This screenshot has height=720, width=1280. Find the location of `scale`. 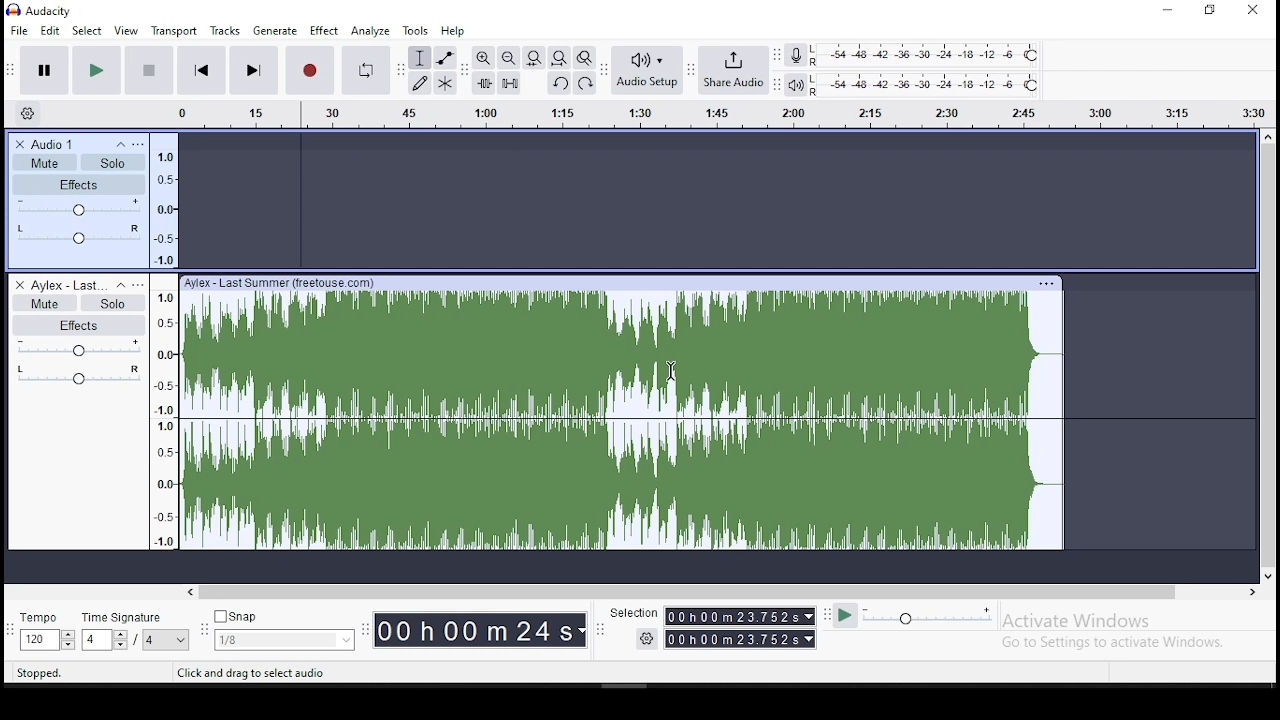

scale is located at coordinates (717, 114).